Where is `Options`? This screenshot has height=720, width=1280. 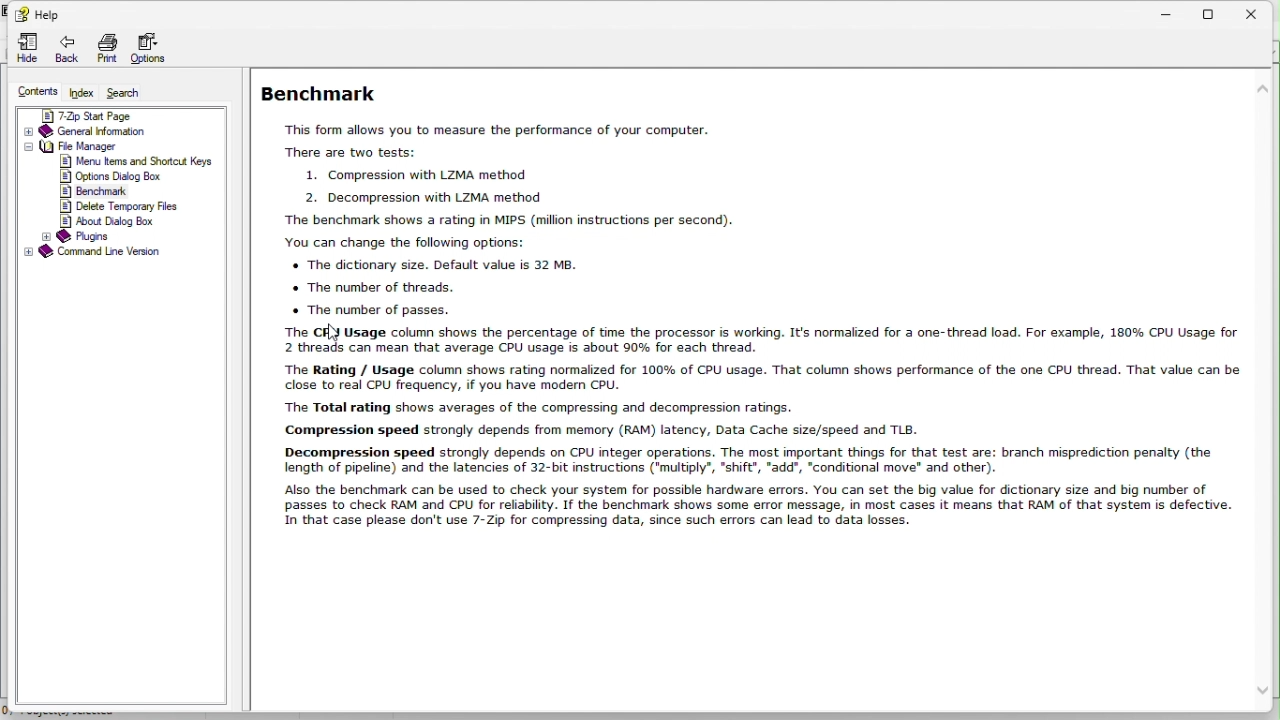
Options is located at coordinates (153, 45).